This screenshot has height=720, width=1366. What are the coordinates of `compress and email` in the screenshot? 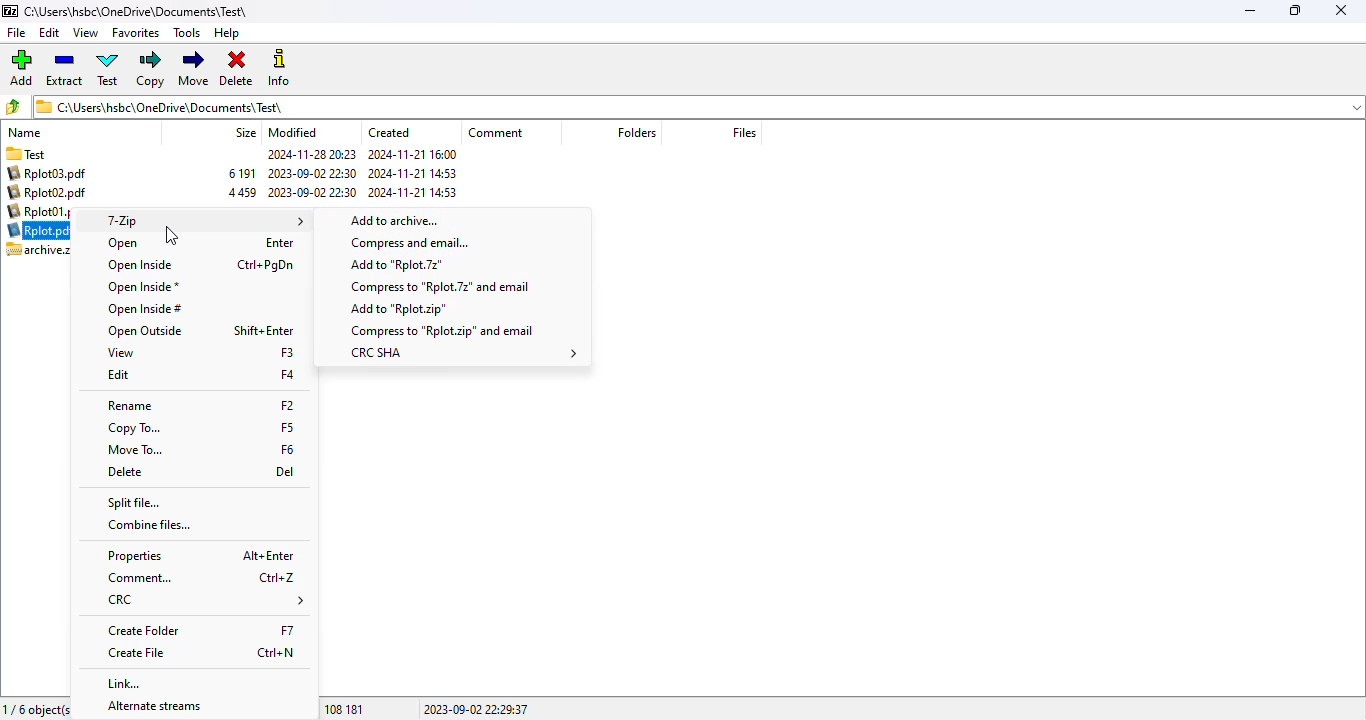 It's located at (412, 243).